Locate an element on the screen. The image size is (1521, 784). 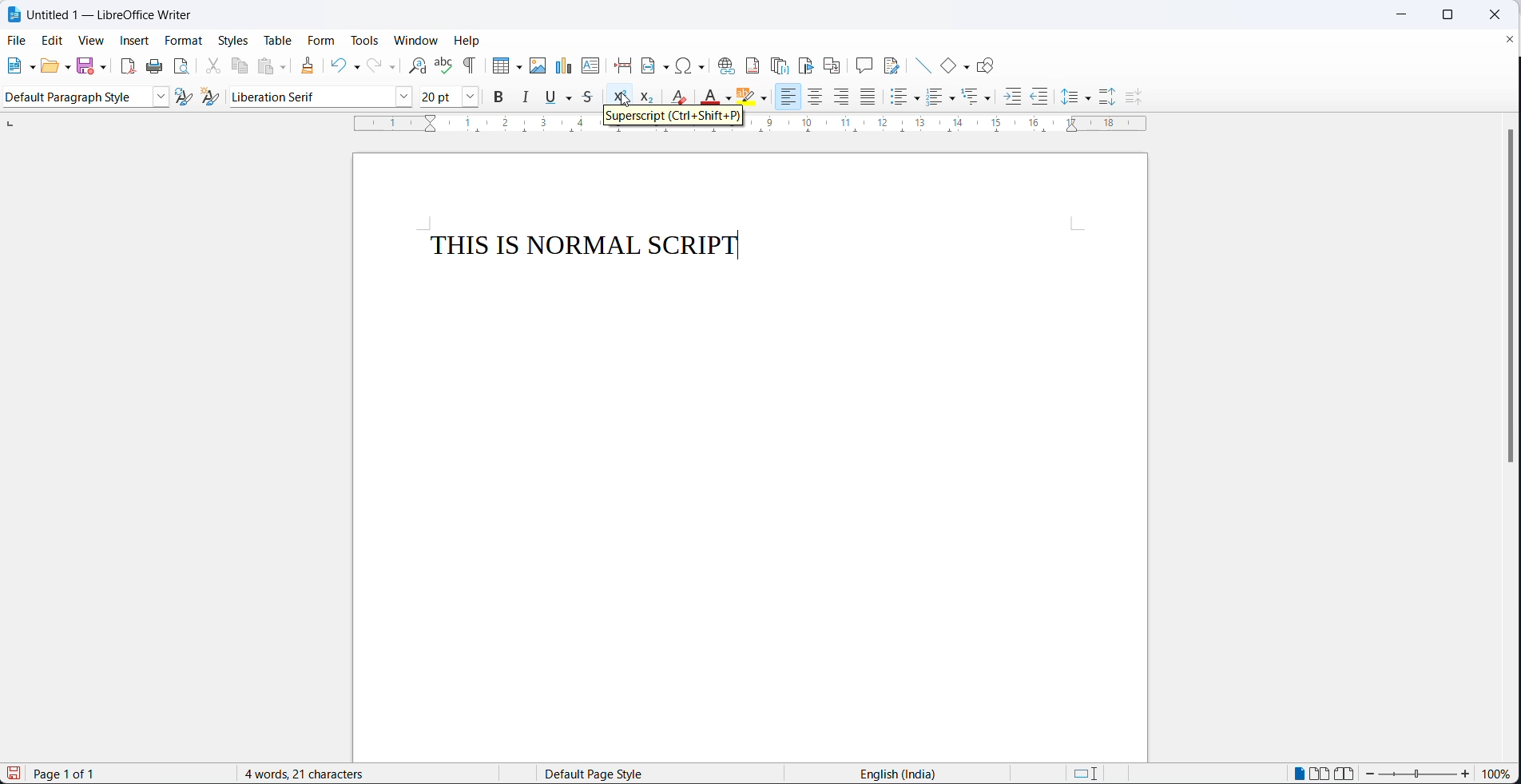
font color options is located at coordinates (729, 99).